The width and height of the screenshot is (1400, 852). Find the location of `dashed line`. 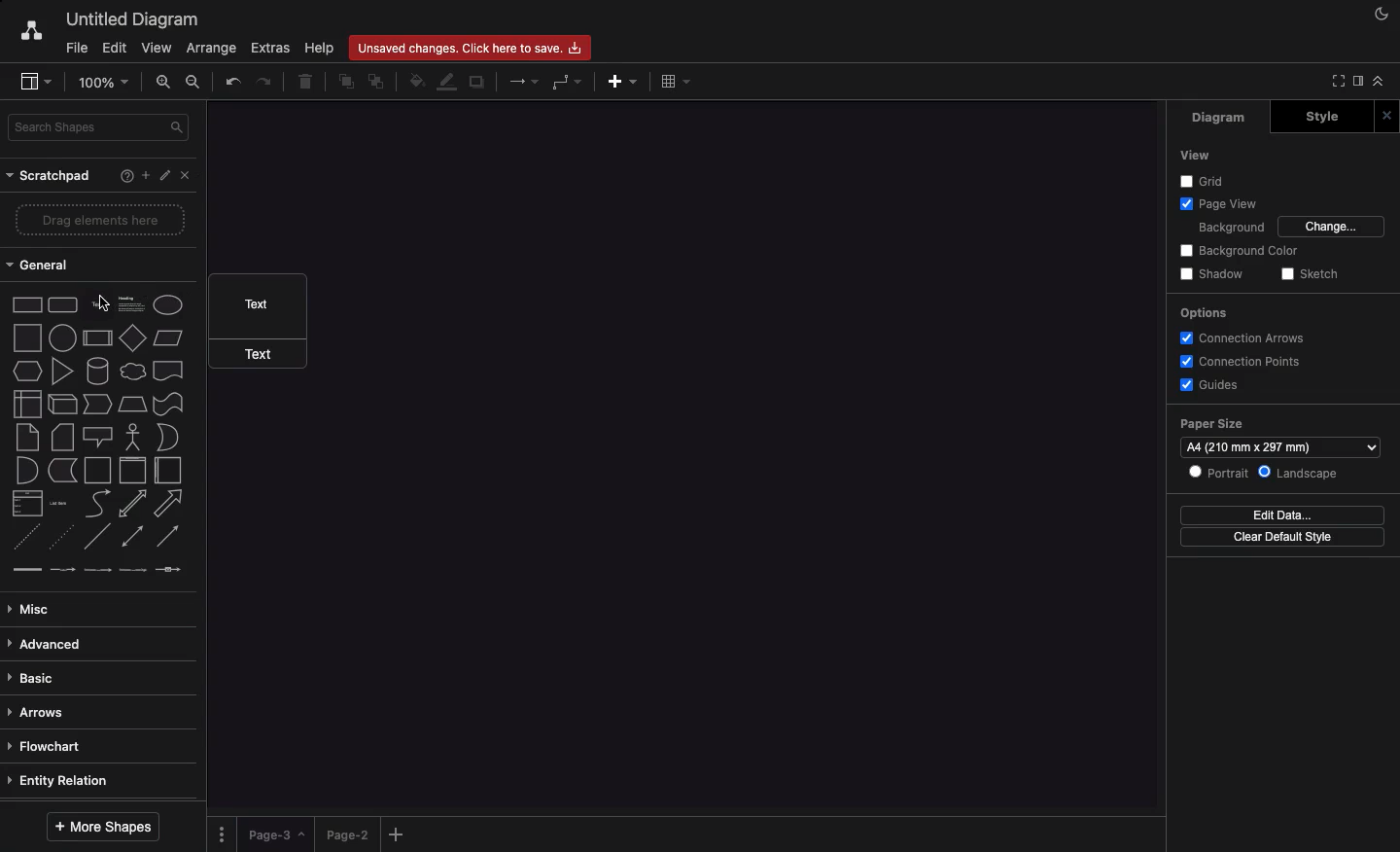

dashed line is located at coordinates (25, 537).